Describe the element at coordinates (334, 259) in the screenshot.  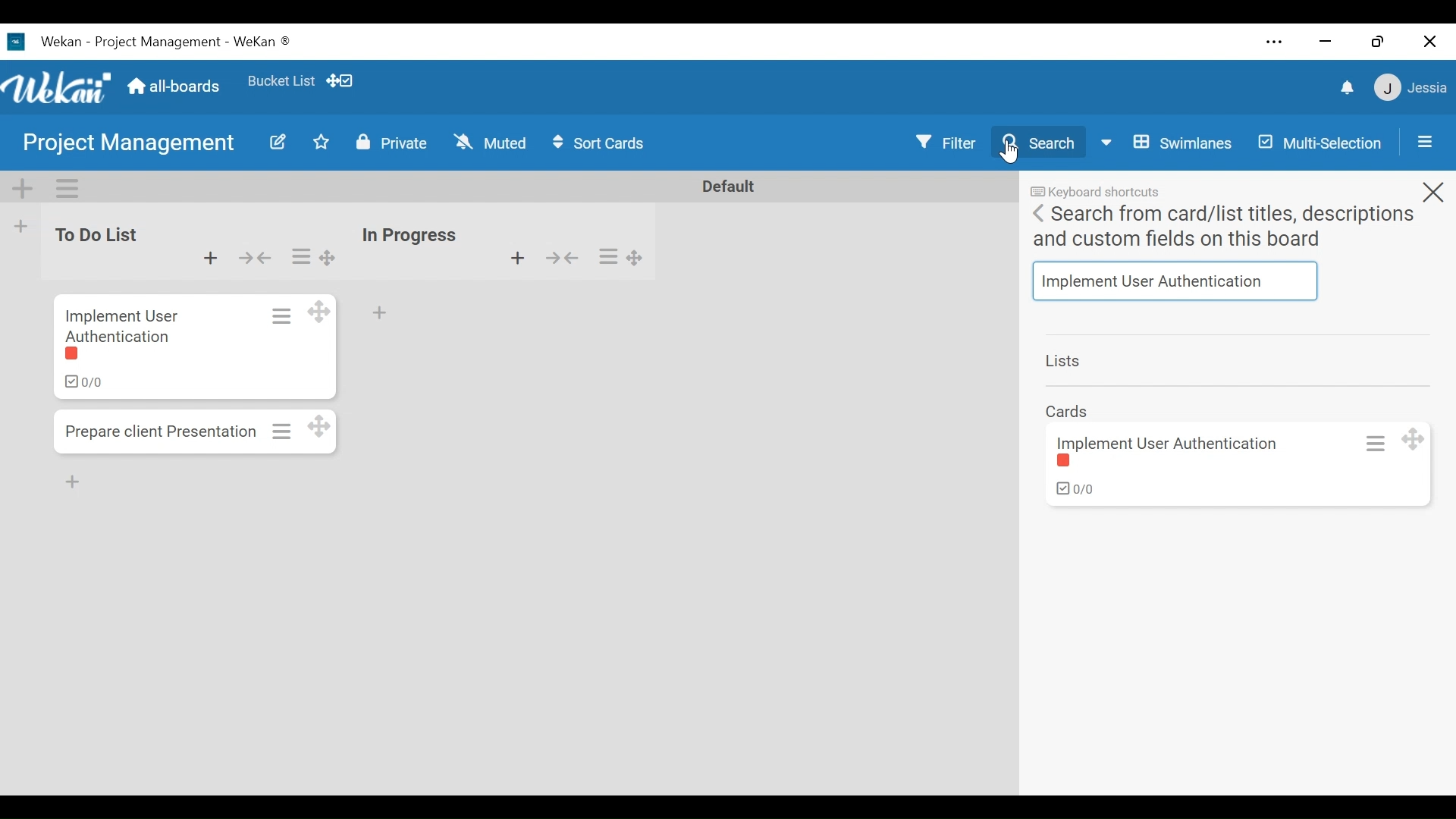
I see `Desktop drag handles` at that location.